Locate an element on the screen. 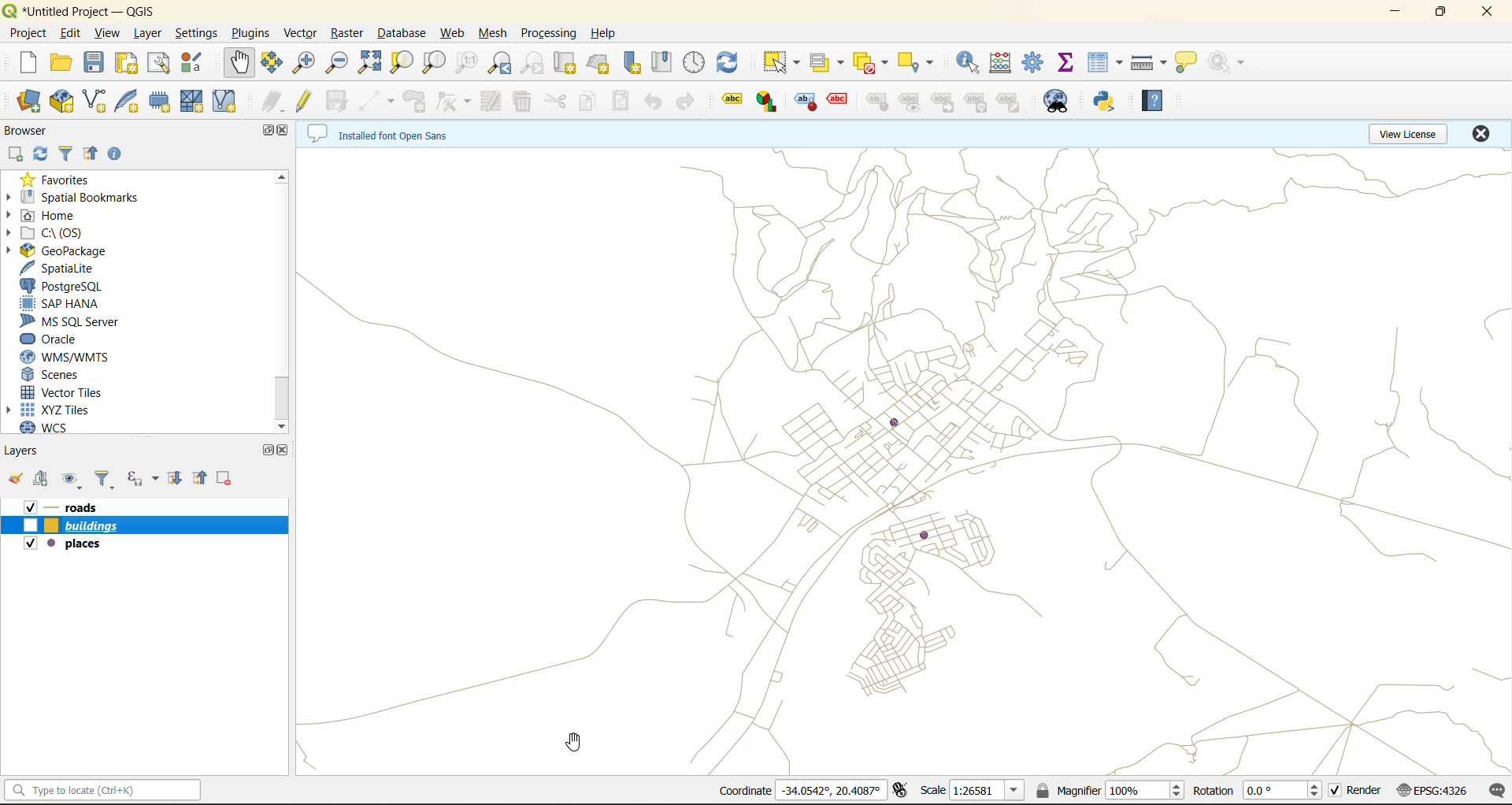 This screenshot has height=805, width=1512. raster is located at coordinates (347, 32).